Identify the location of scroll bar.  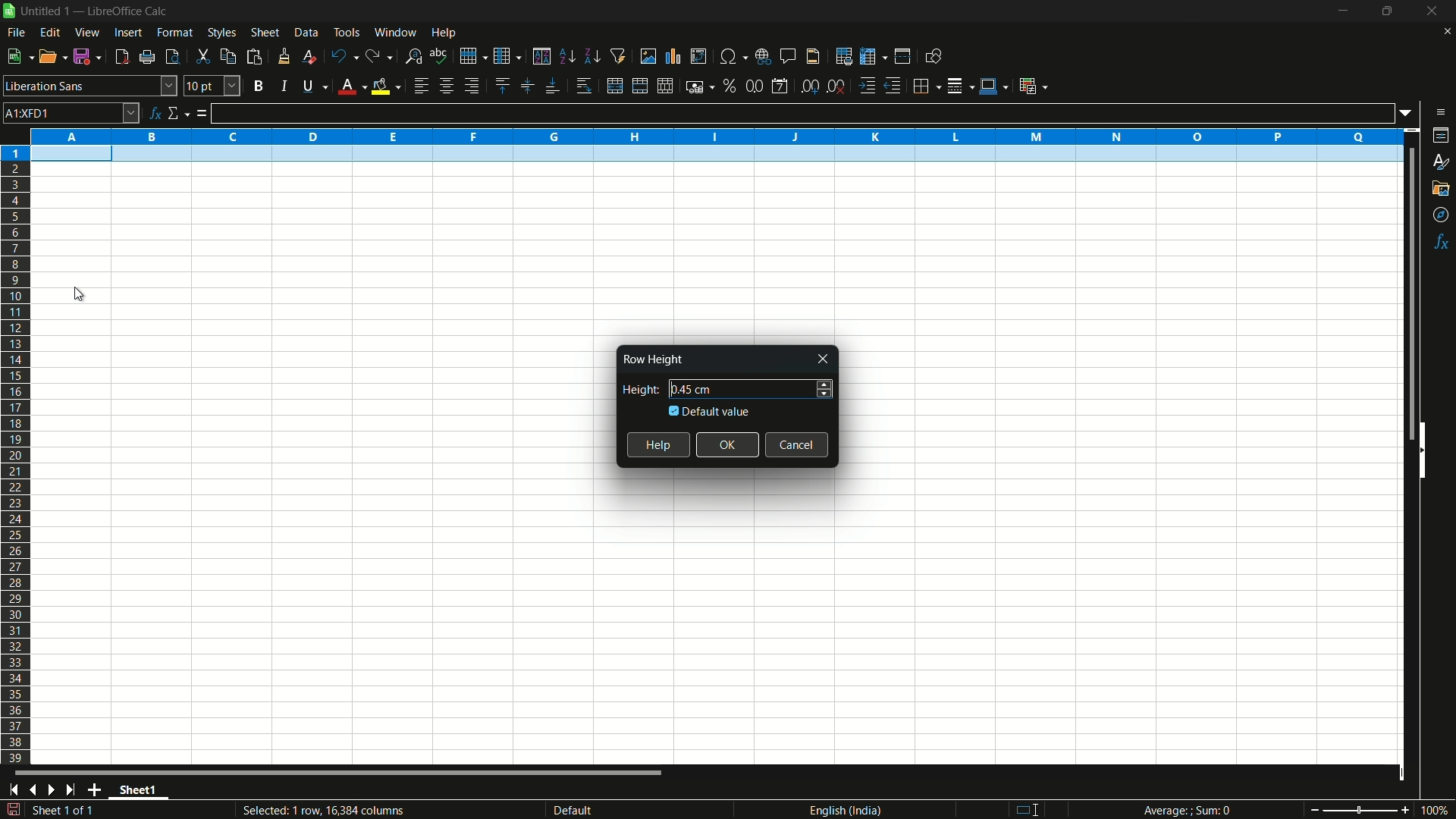
(1403, 294).